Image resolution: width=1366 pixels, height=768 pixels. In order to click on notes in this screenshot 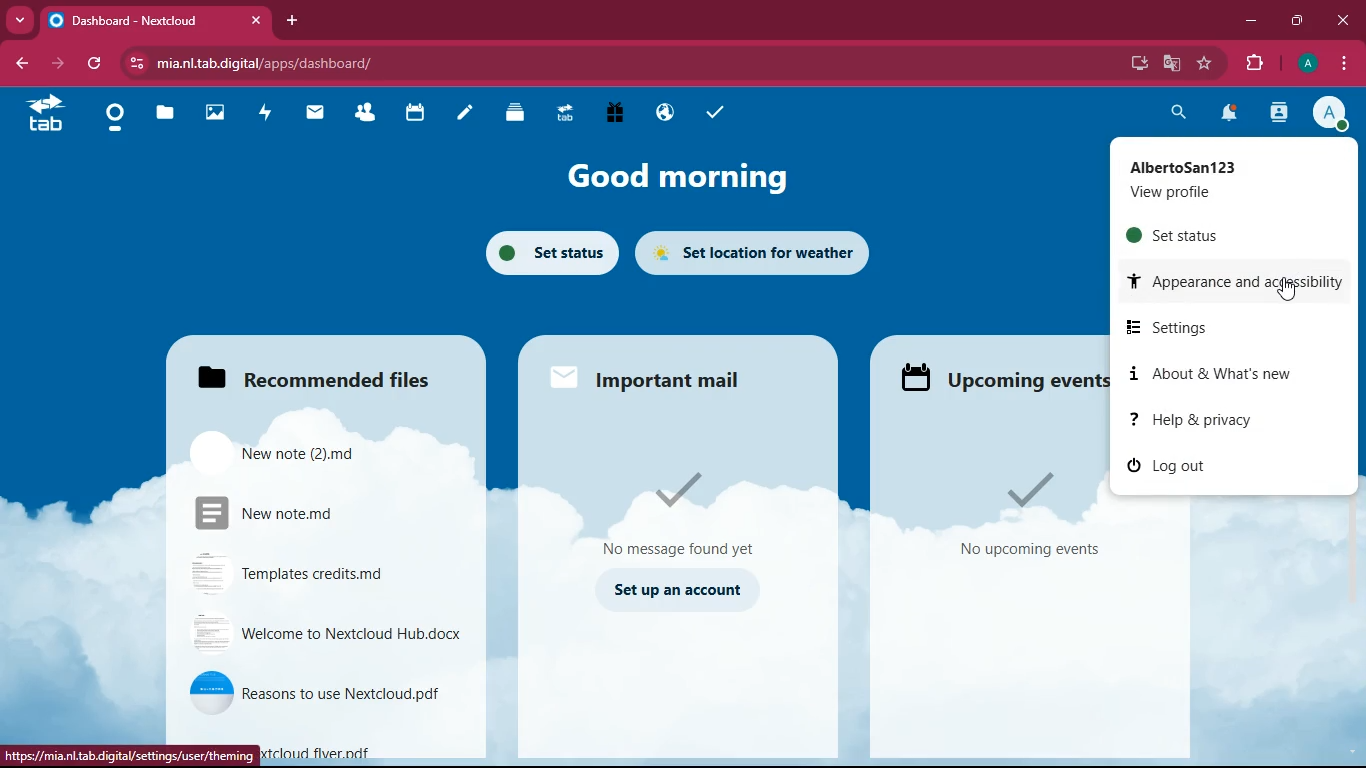, I will do `click(458, 114)`.